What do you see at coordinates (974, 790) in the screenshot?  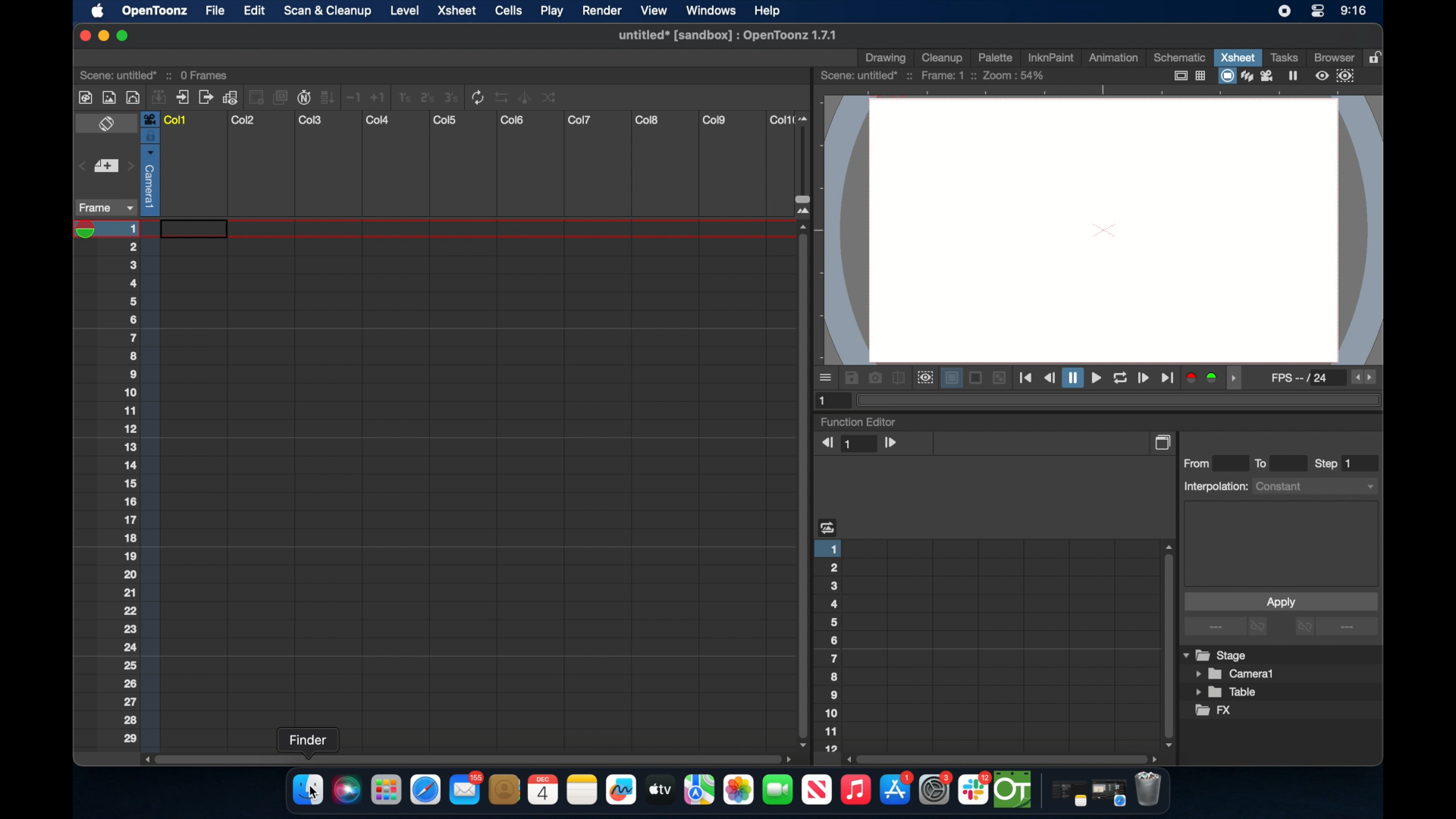 I see `slack` at bounding box center [974, 790].